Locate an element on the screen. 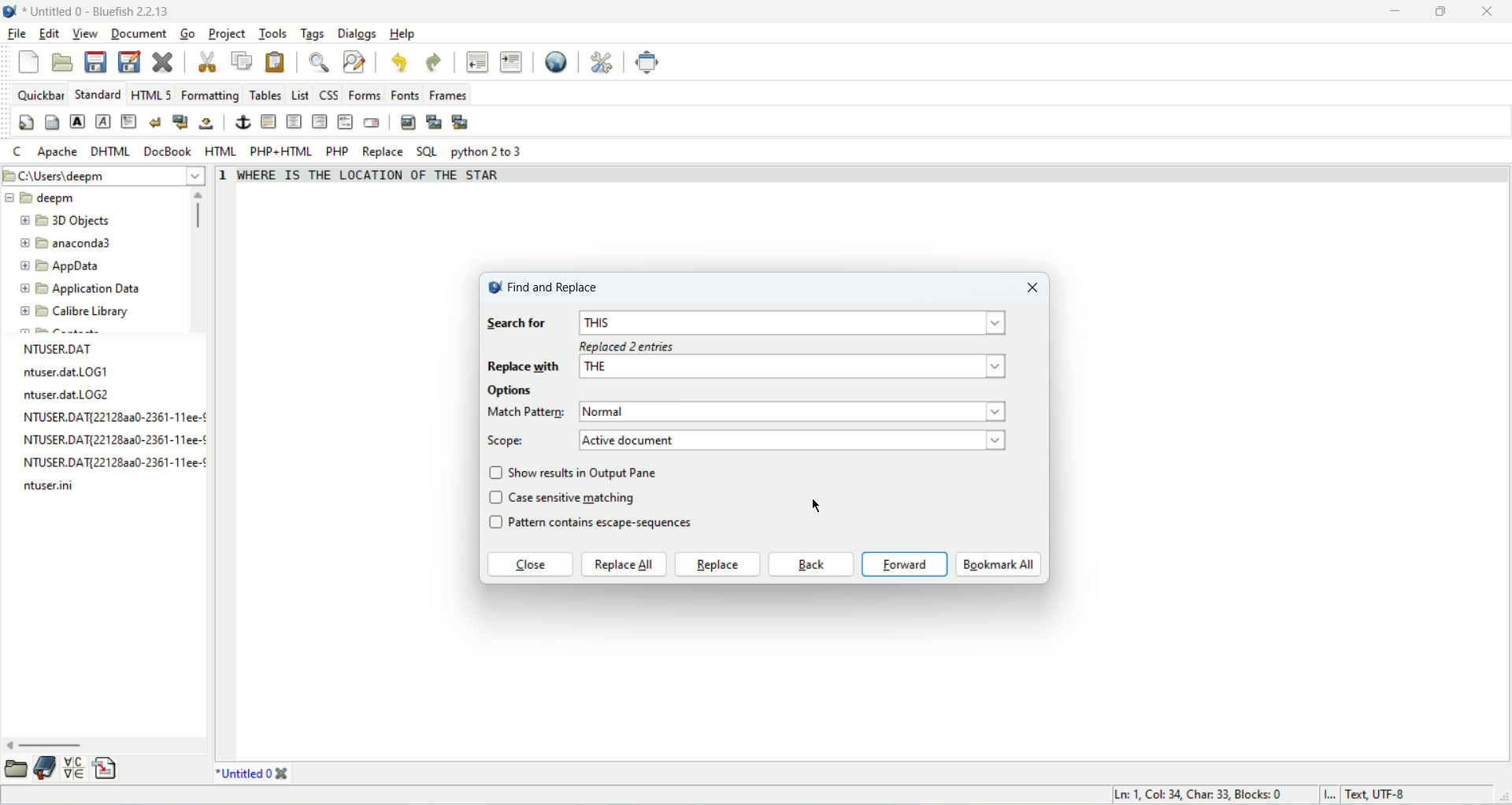 This screenshot has width=1512, height=805. new file is located at coordinates (31, 62).